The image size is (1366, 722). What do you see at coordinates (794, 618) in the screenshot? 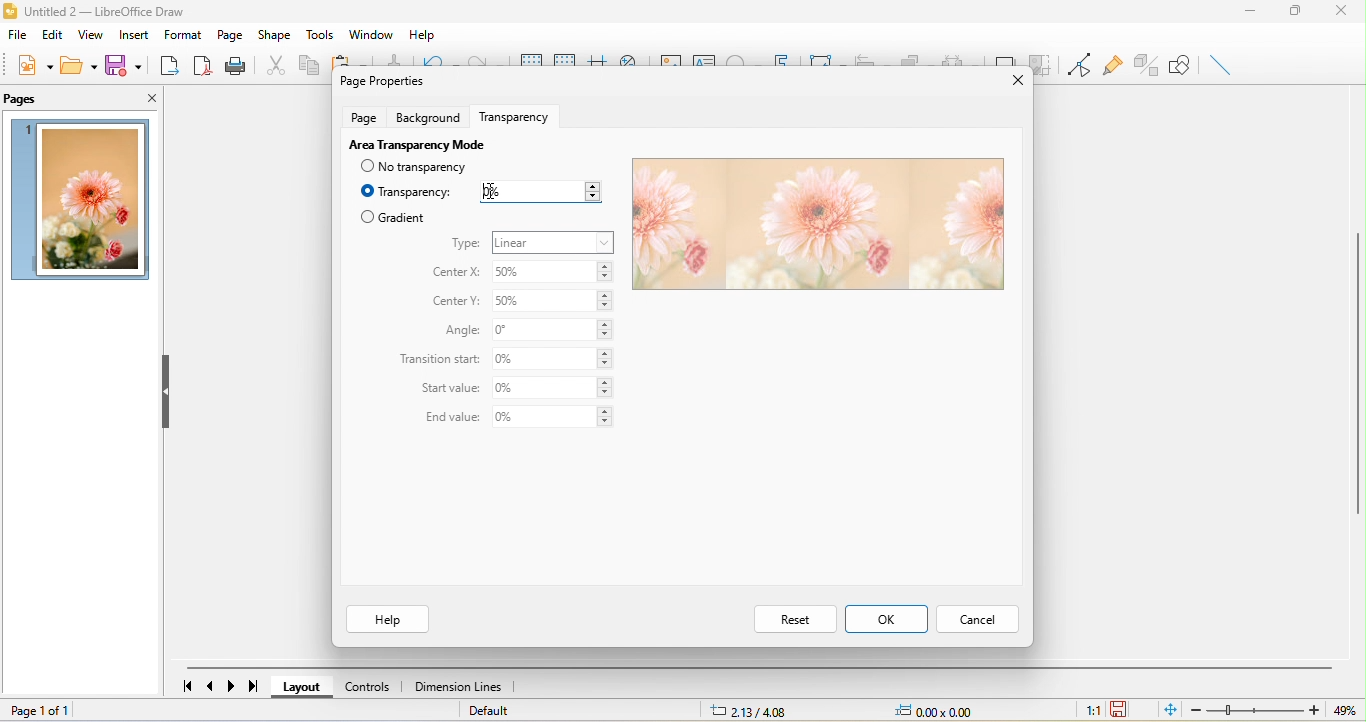
I see `reset` at bounding box center [794, 618].